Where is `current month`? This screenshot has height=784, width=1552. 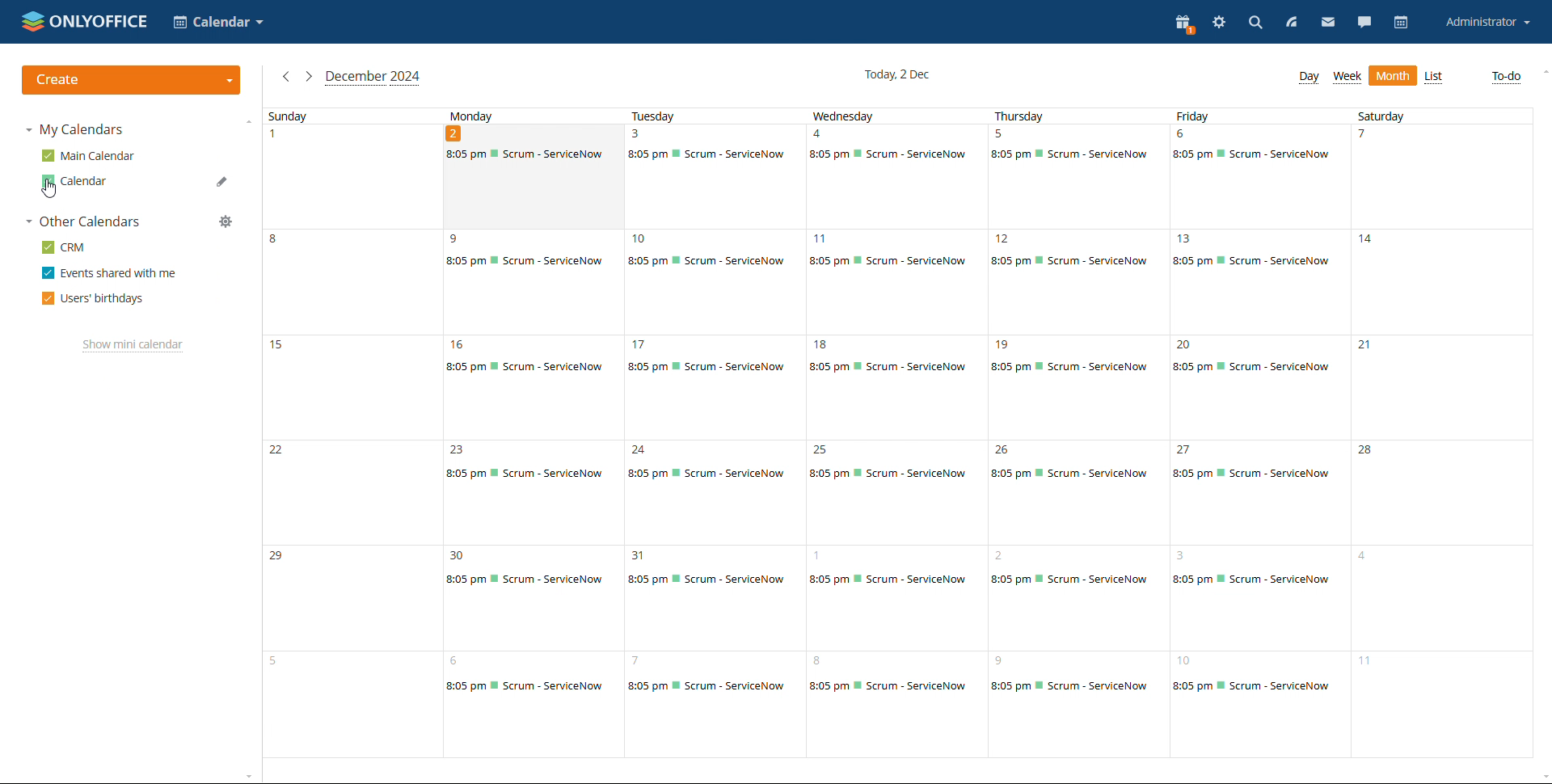
current month is located at coordinates (373, 77).